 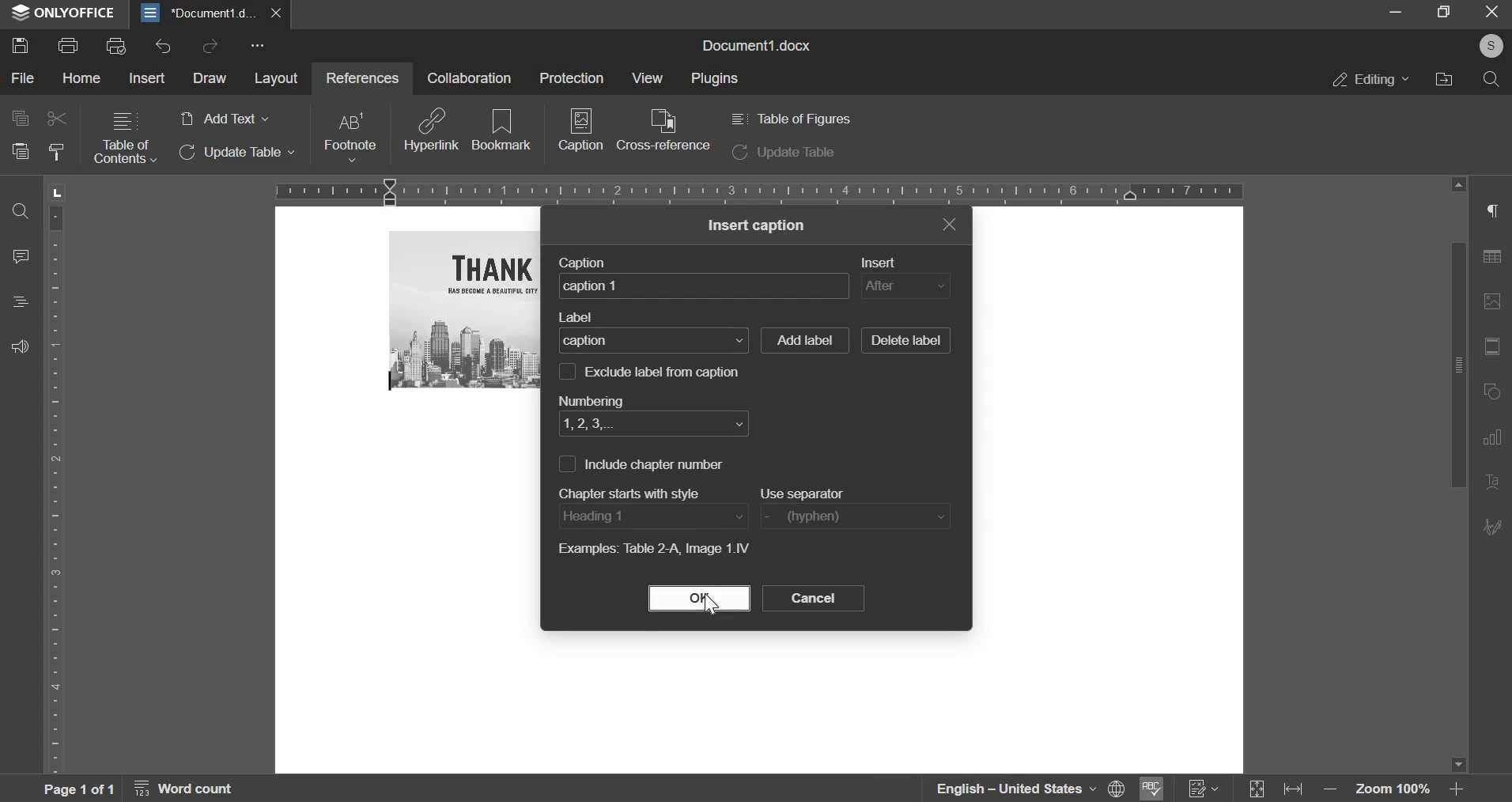 What do you see at coordinates (20, 213) in the screenshot?
I see `find` at bounding box center [20, 213].